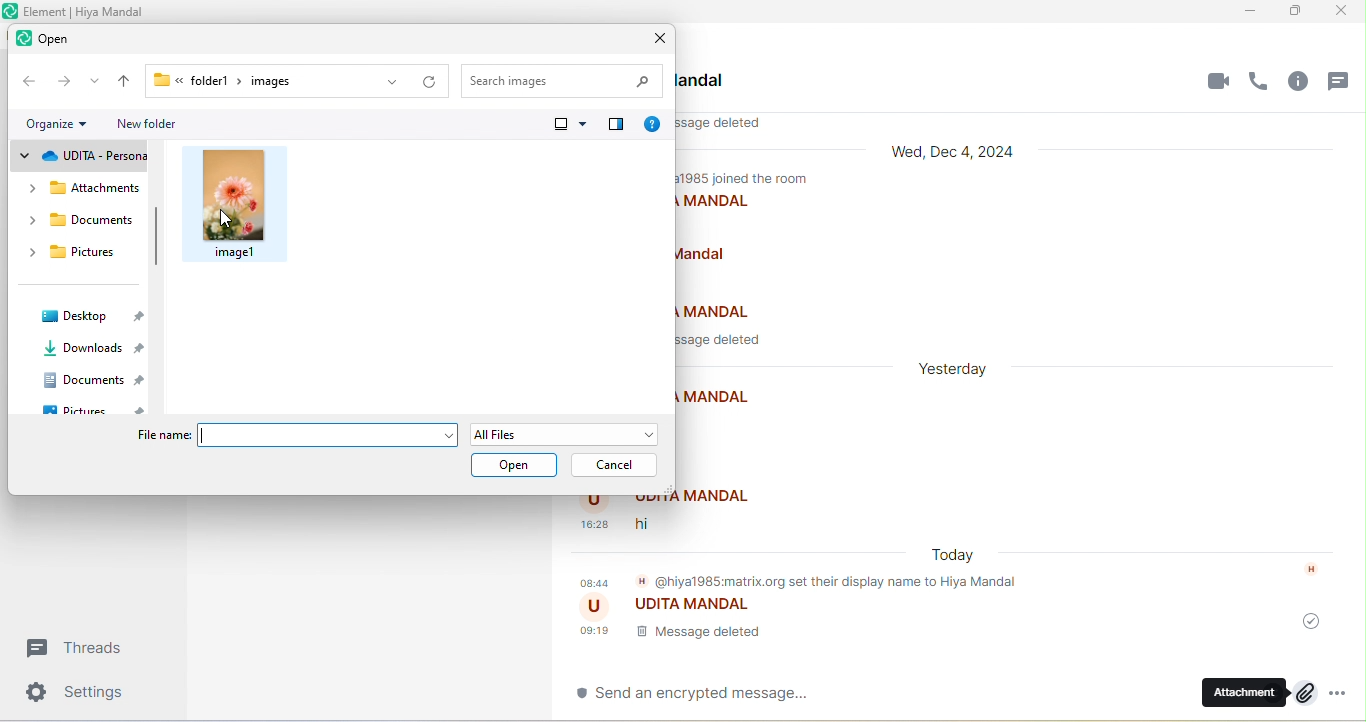 This screenshot has height=722, width=1366. Describe the element at coordinates (28, 80) in the screenshot. I see `back` at that location.